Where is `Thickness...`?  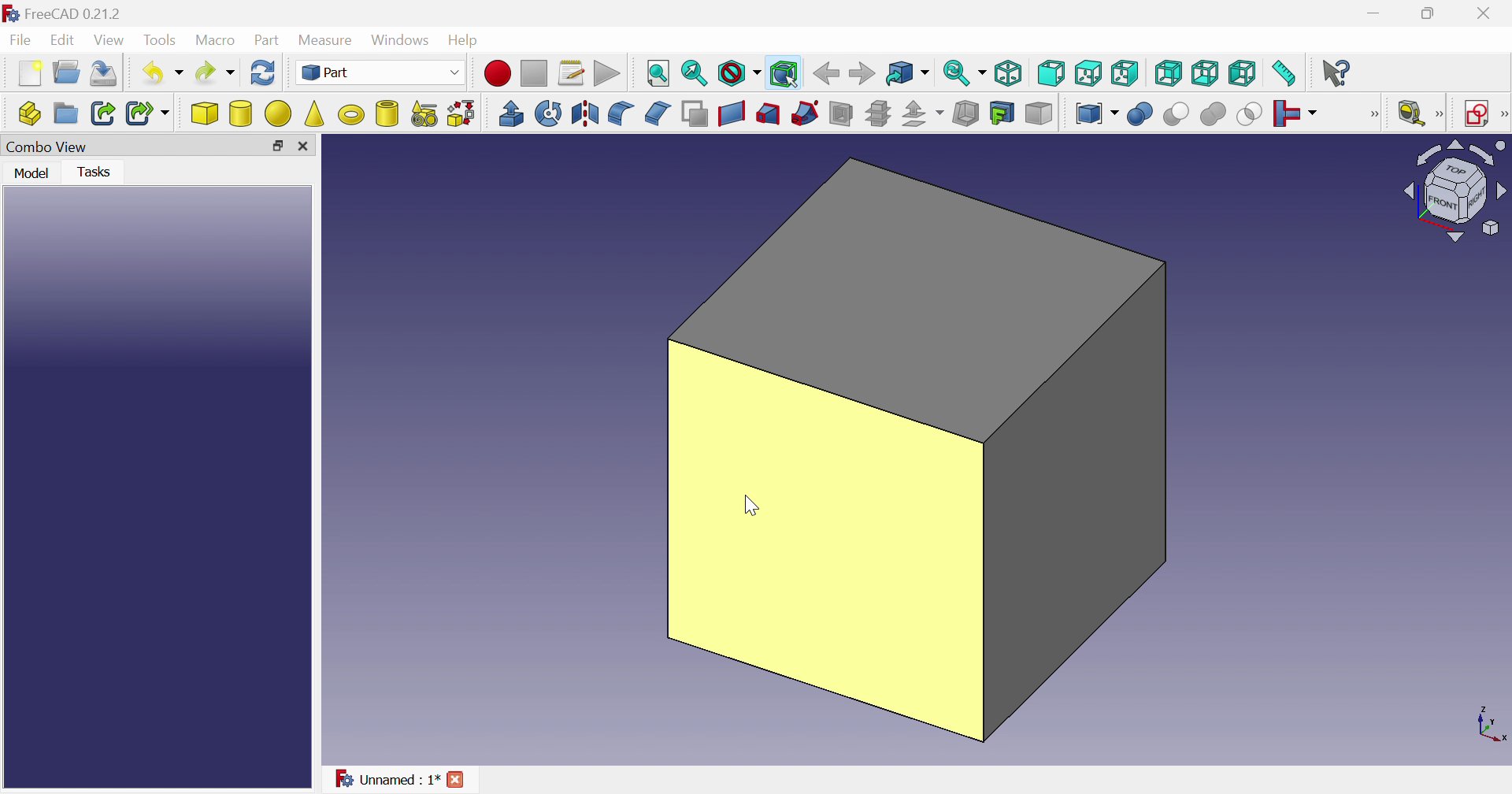
Thickness... is located at coordinates (965, 113).